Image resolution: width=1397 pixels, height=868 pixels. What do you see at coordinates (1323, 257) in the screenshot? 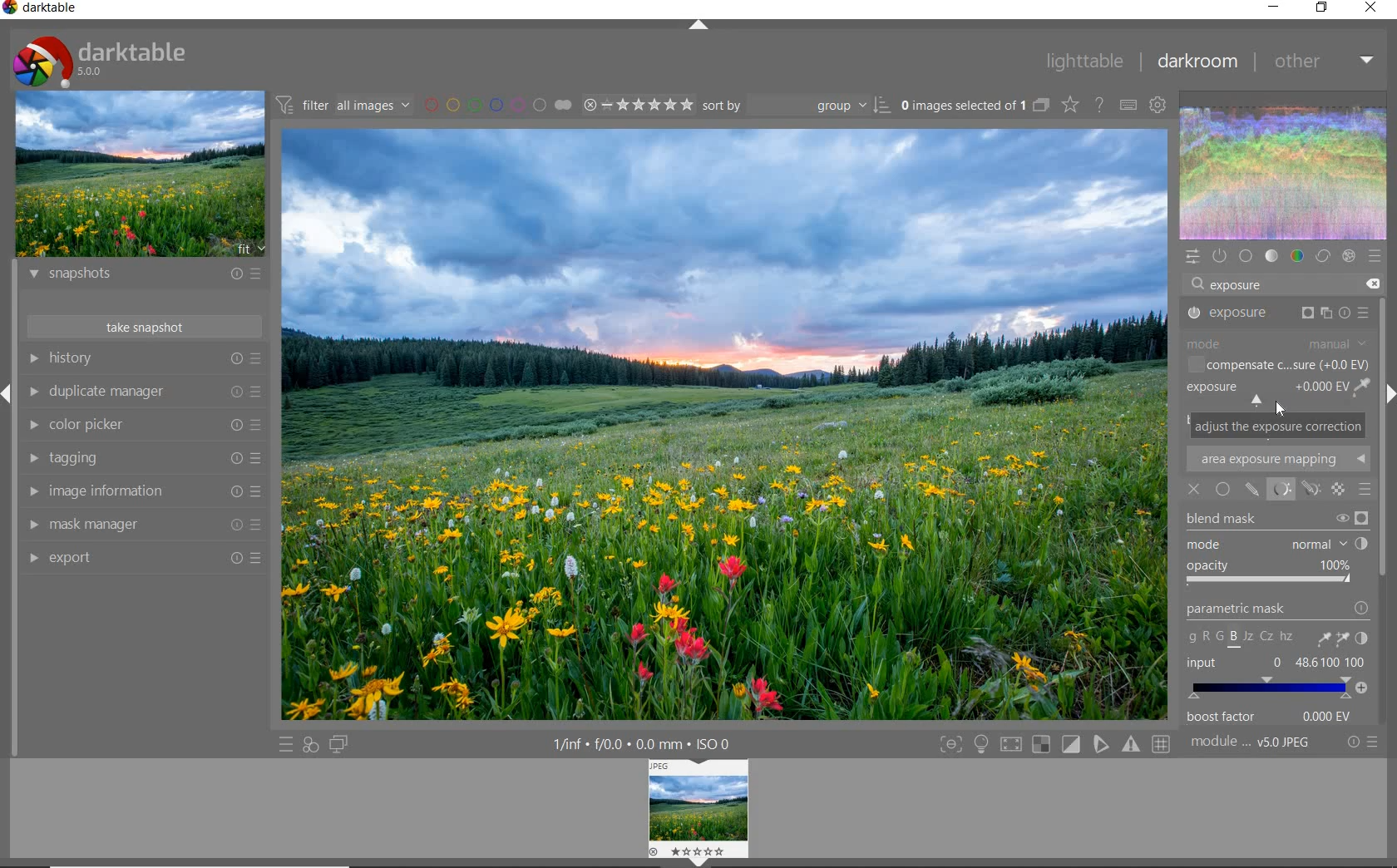
I see `correct` at bounding box center [1323, 257].